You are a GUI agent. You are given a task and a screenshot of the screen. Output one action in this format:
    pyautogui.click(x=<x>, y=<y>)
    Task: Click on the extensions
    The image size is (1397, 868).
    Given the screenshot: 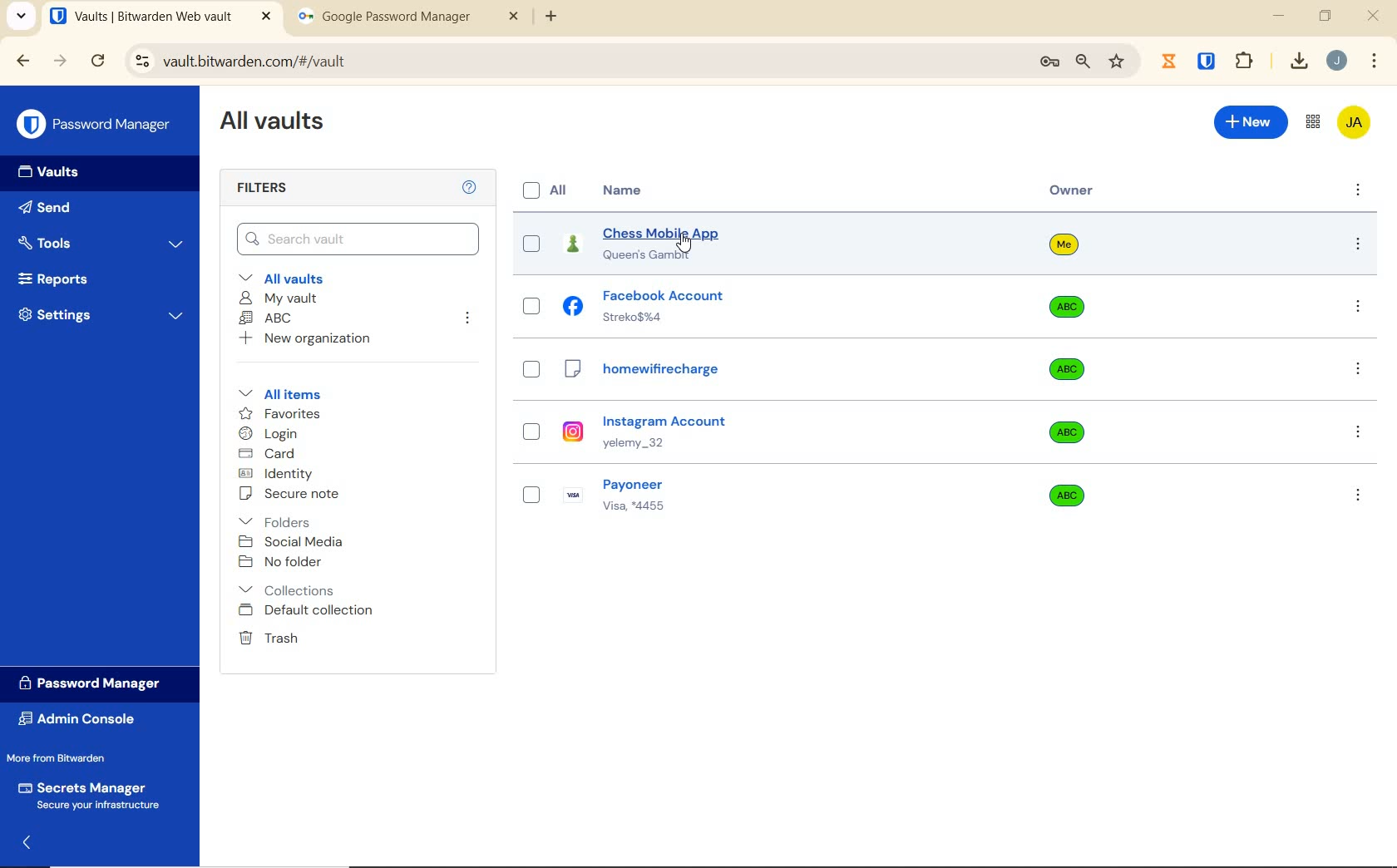 What is the action you would take?
    pyautogui.click(x=1208, y=60)
    